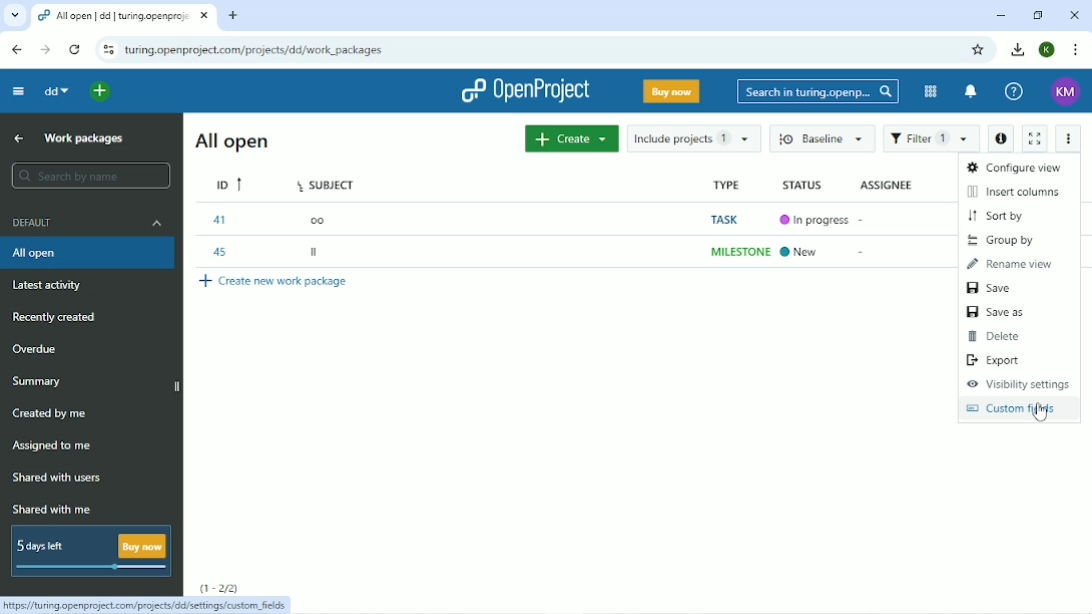  What do you see at coordinates (889, 185) in the screenshot?
I see `Assignee` at bounding box center [889, 185].